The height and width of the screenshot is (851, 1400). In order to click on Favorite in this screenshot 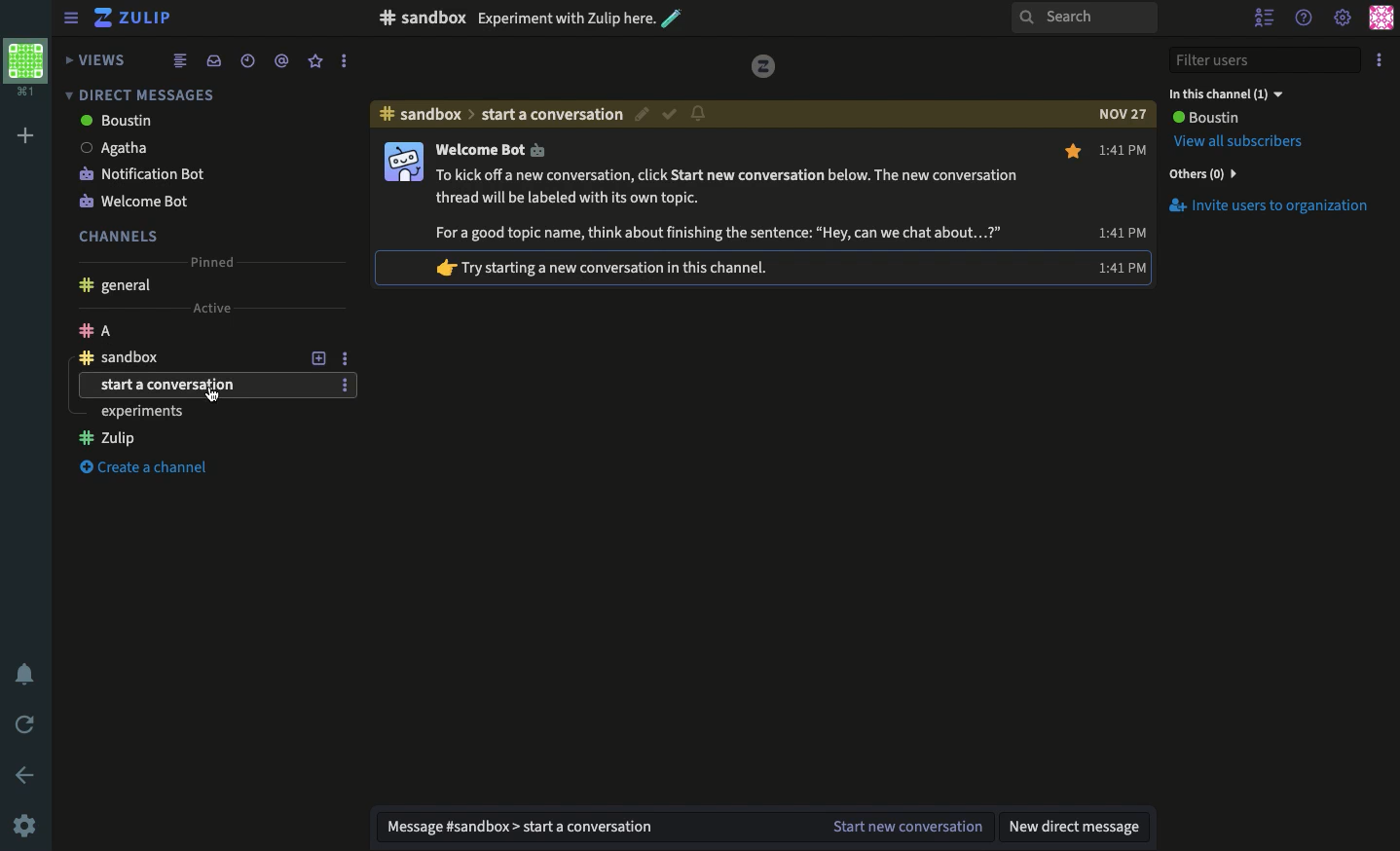, I will do `click(316, 60)`.